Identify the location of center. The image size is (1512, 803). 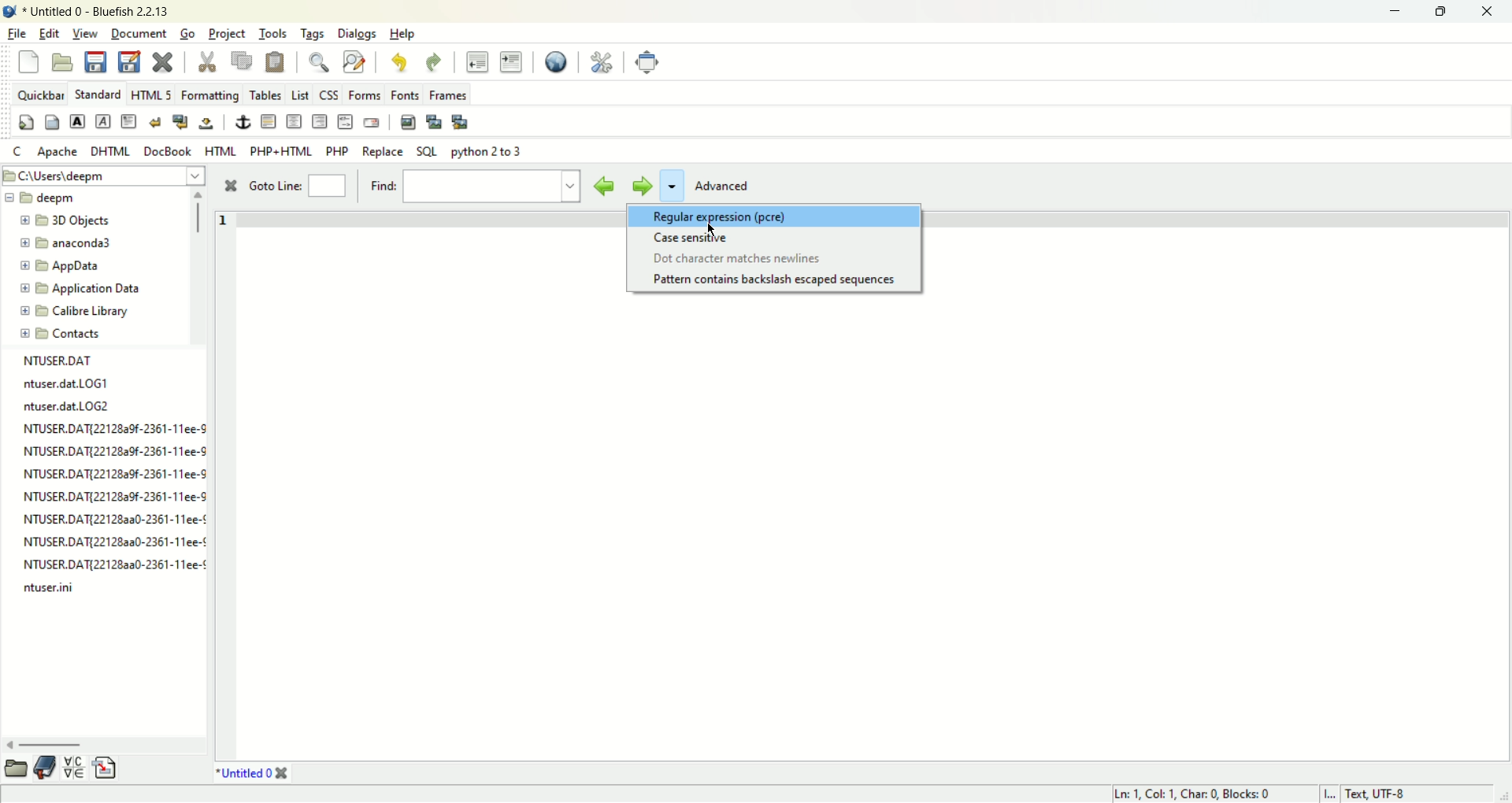
(295, 122).